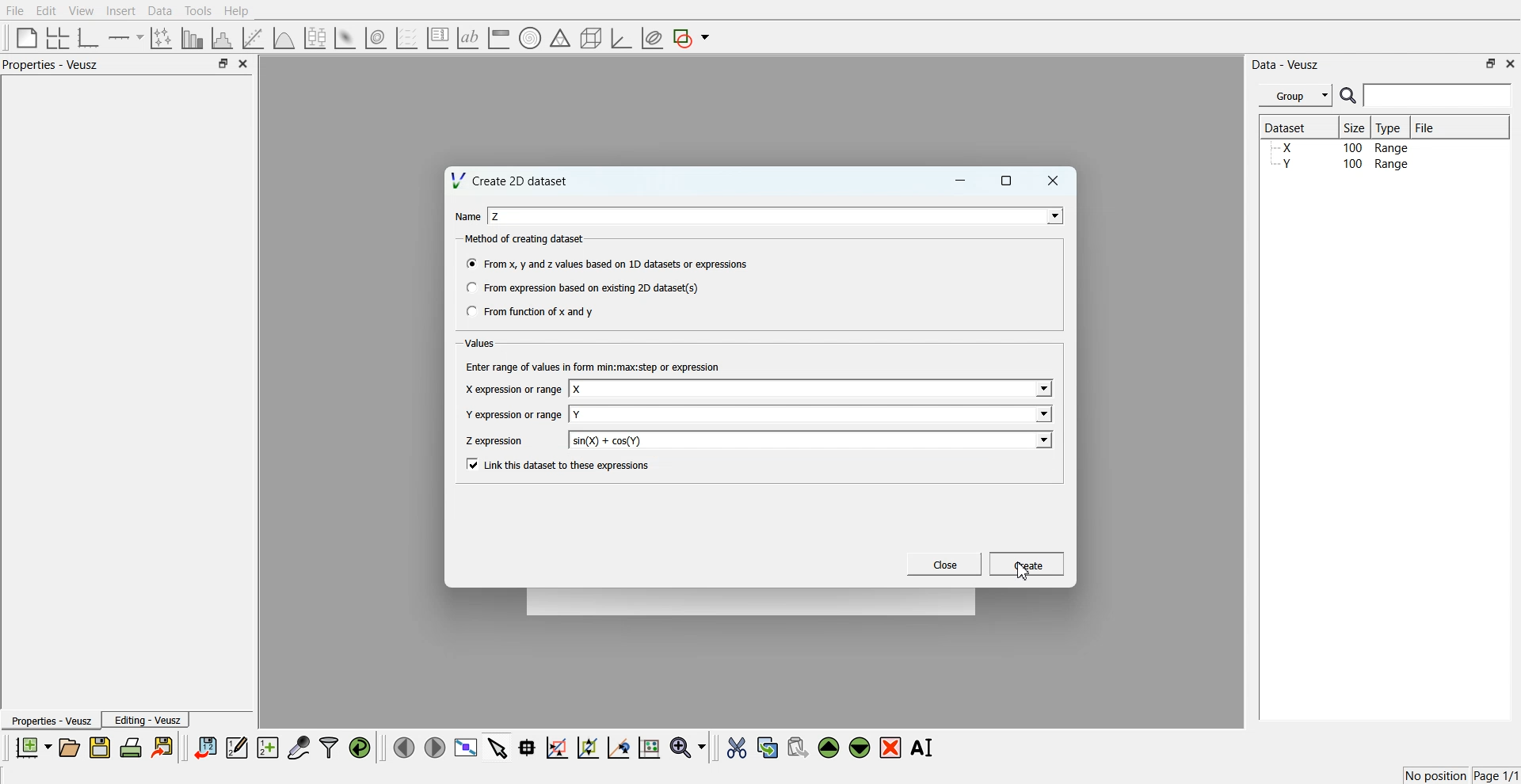 The height and width of the screenshot is (784, 1521). I want to click on Properties - Veusz, so click(50, 720).